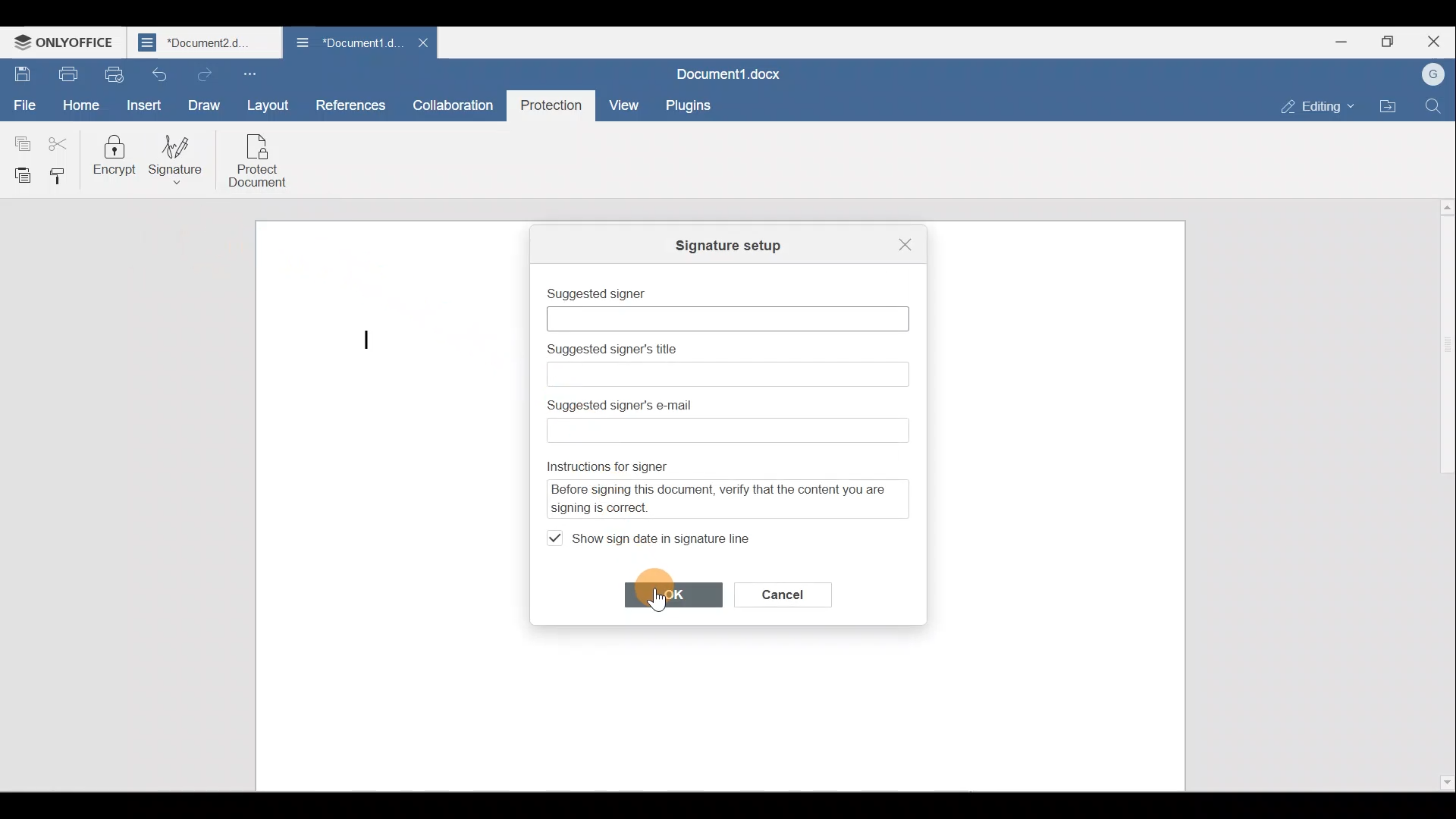 Image resolution: width=1456 pixels, height=819 pixels. What do you see at coordinates (425, 42) in the screenshot?
I see `Close document` at bounding box center [425, 42].